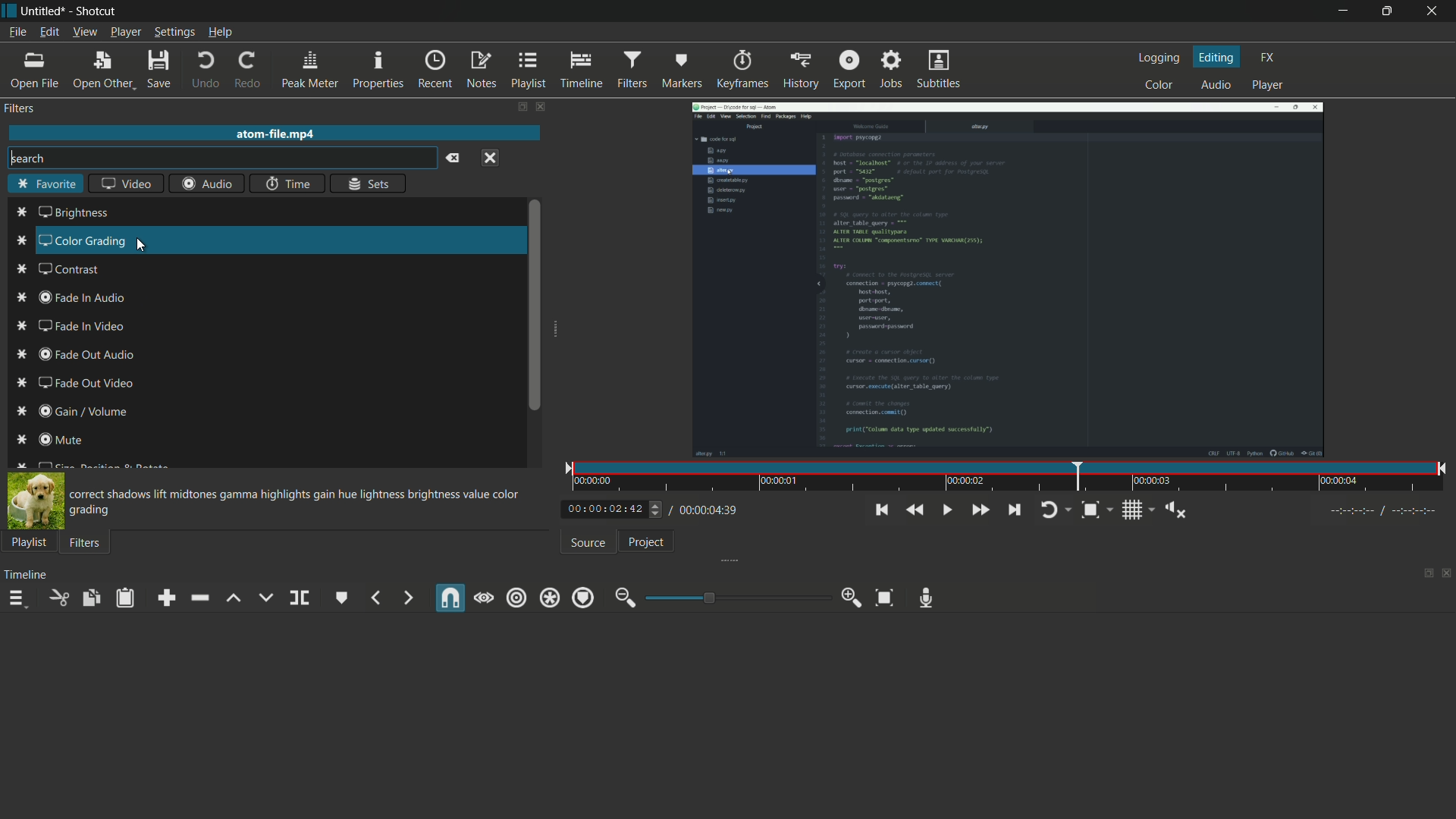 The width and height of the screenshot is (1456, 819). I want to click on jobs, so click(892, 68).